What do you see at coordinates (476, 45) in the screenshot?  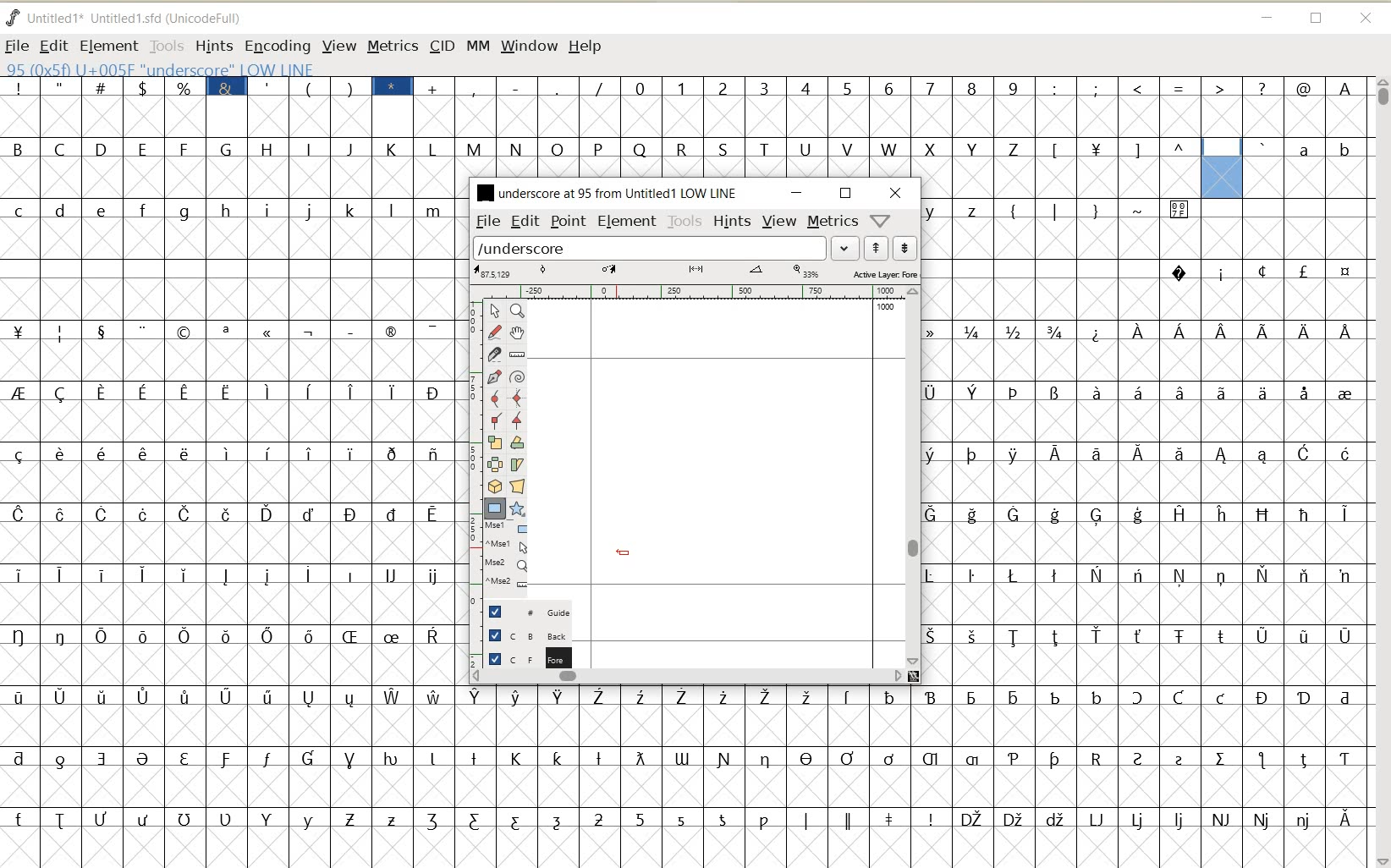 I see `MM` at bounding box center [476, 45].